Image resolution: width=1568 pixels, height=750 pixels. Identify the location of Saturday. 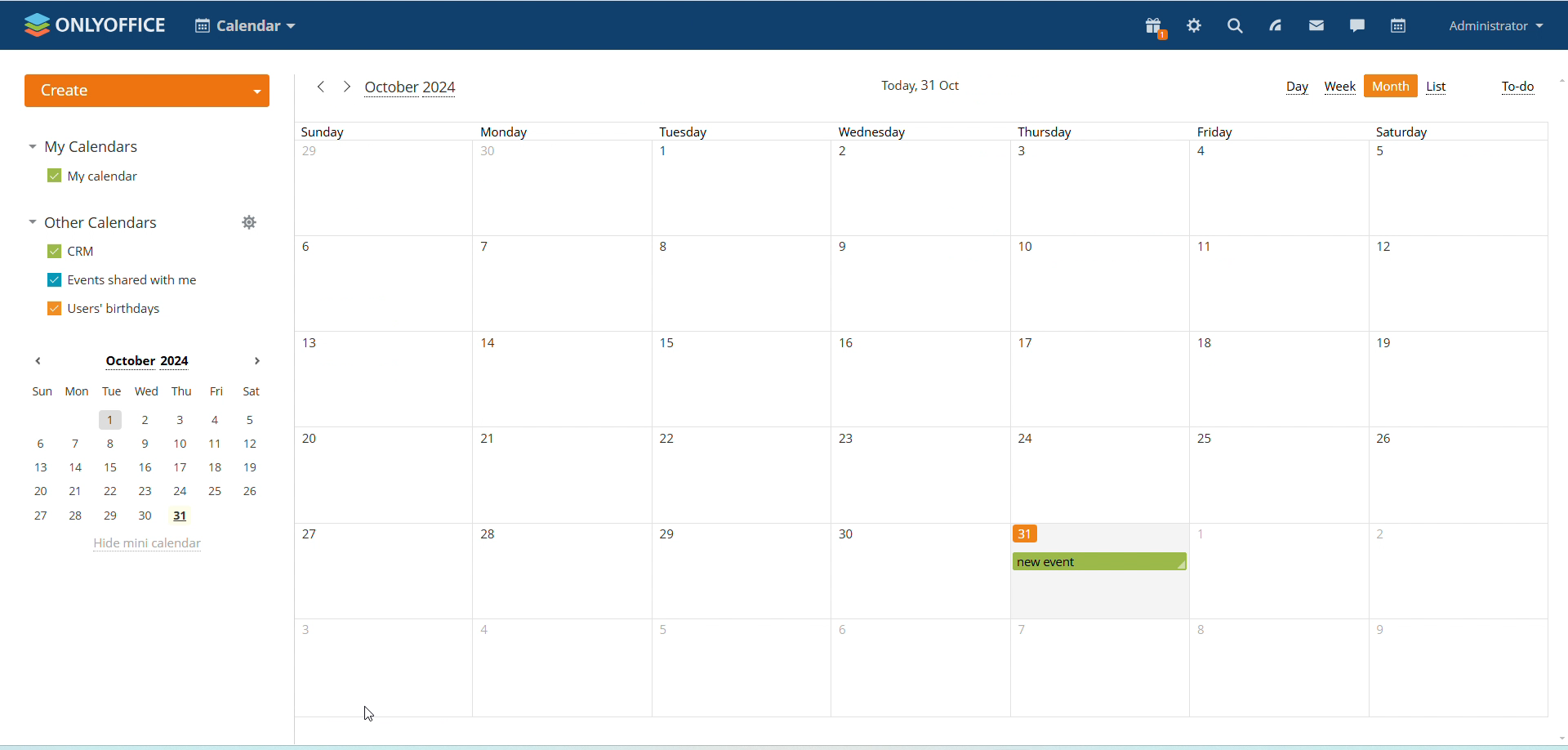
(1459, 419).